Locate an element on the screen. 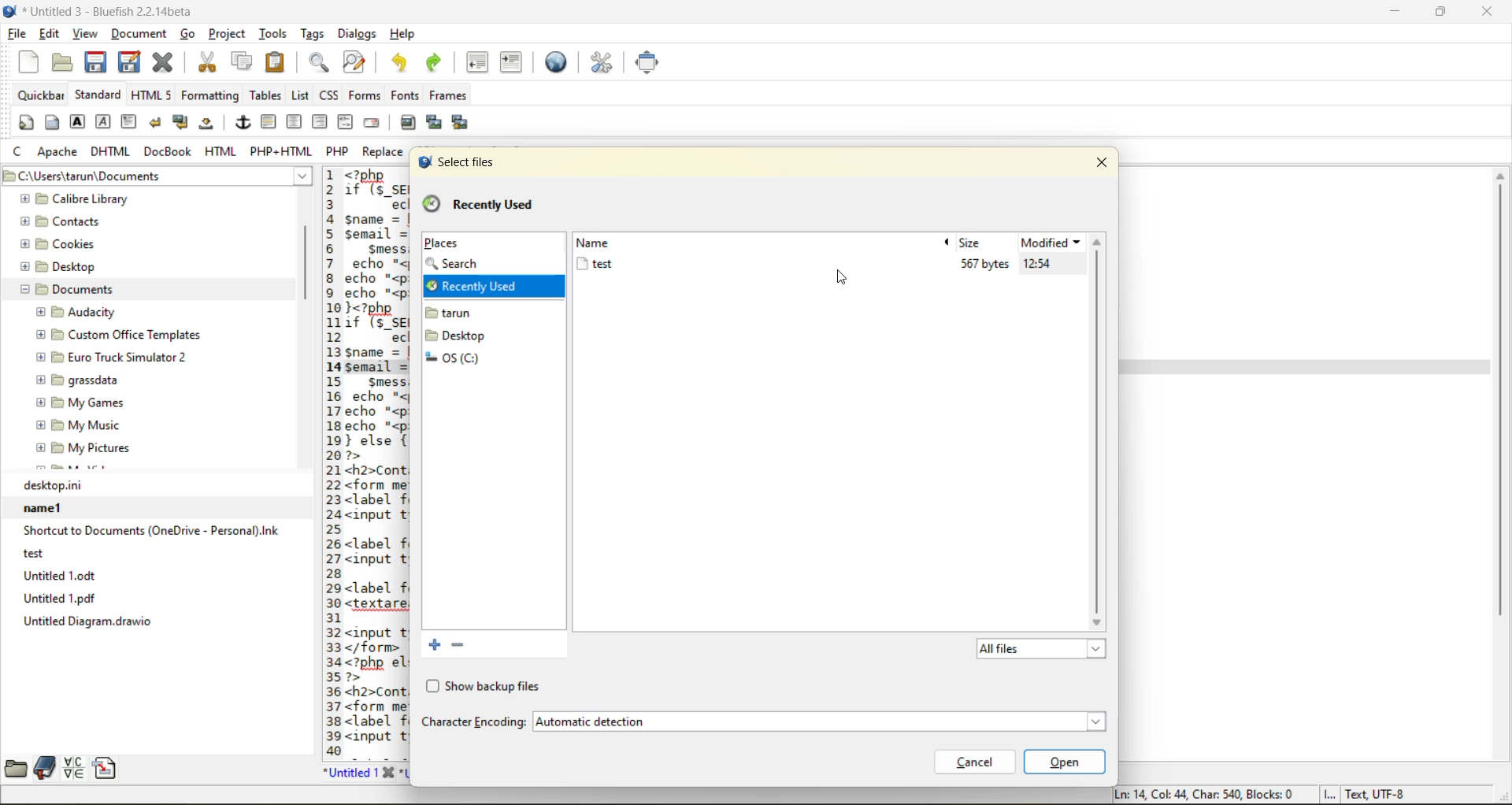 The image size is (1512, 805). file is located at coordinates (18, 35).